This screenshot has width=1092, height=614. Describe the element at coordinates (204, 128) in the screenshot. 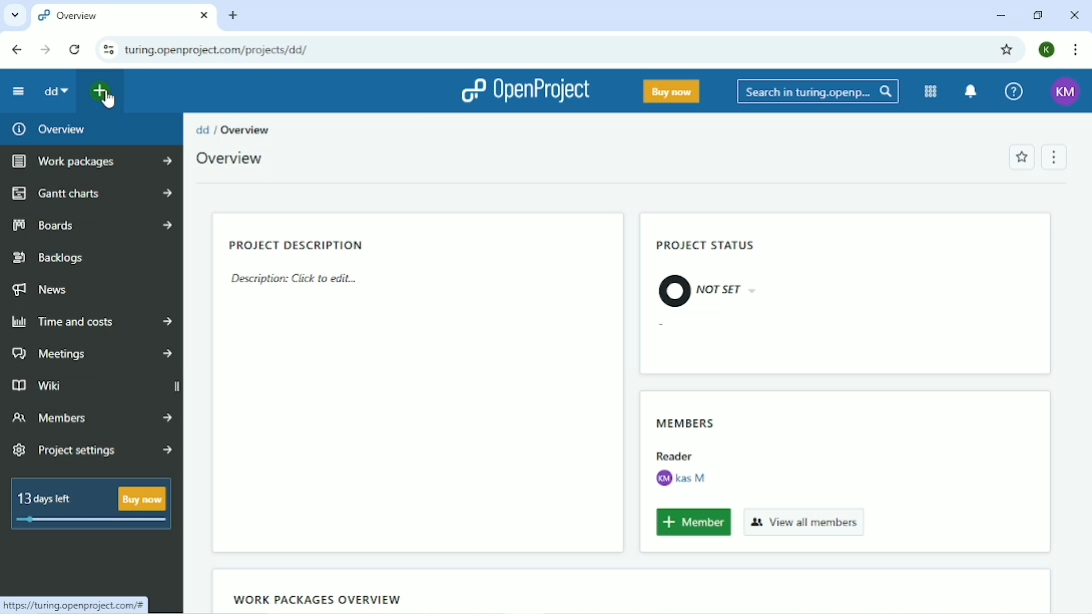

I see `dd` at that location.